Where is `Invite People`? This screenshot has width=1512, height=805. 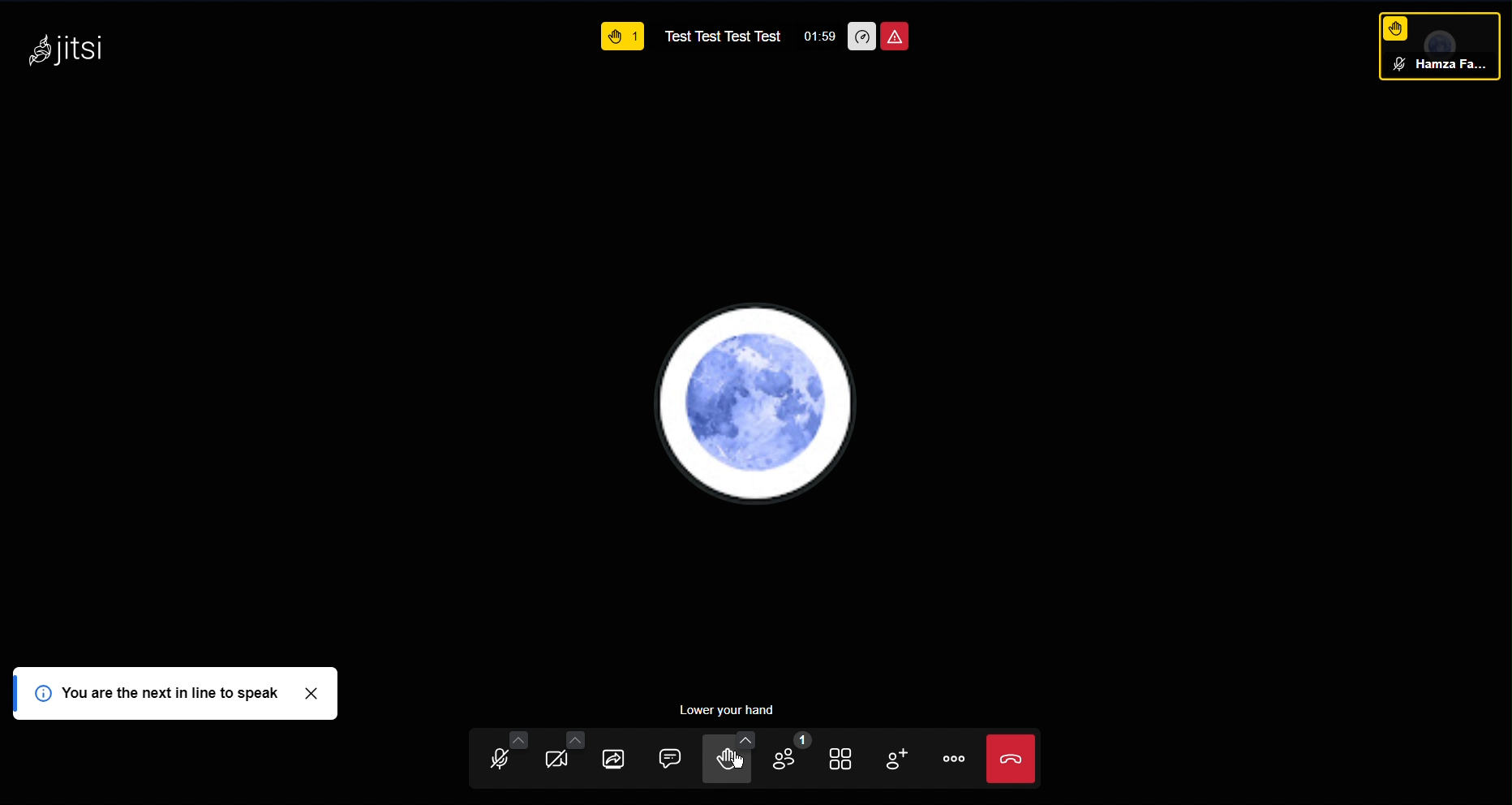
Invite People is located at coordinates (908, 757).